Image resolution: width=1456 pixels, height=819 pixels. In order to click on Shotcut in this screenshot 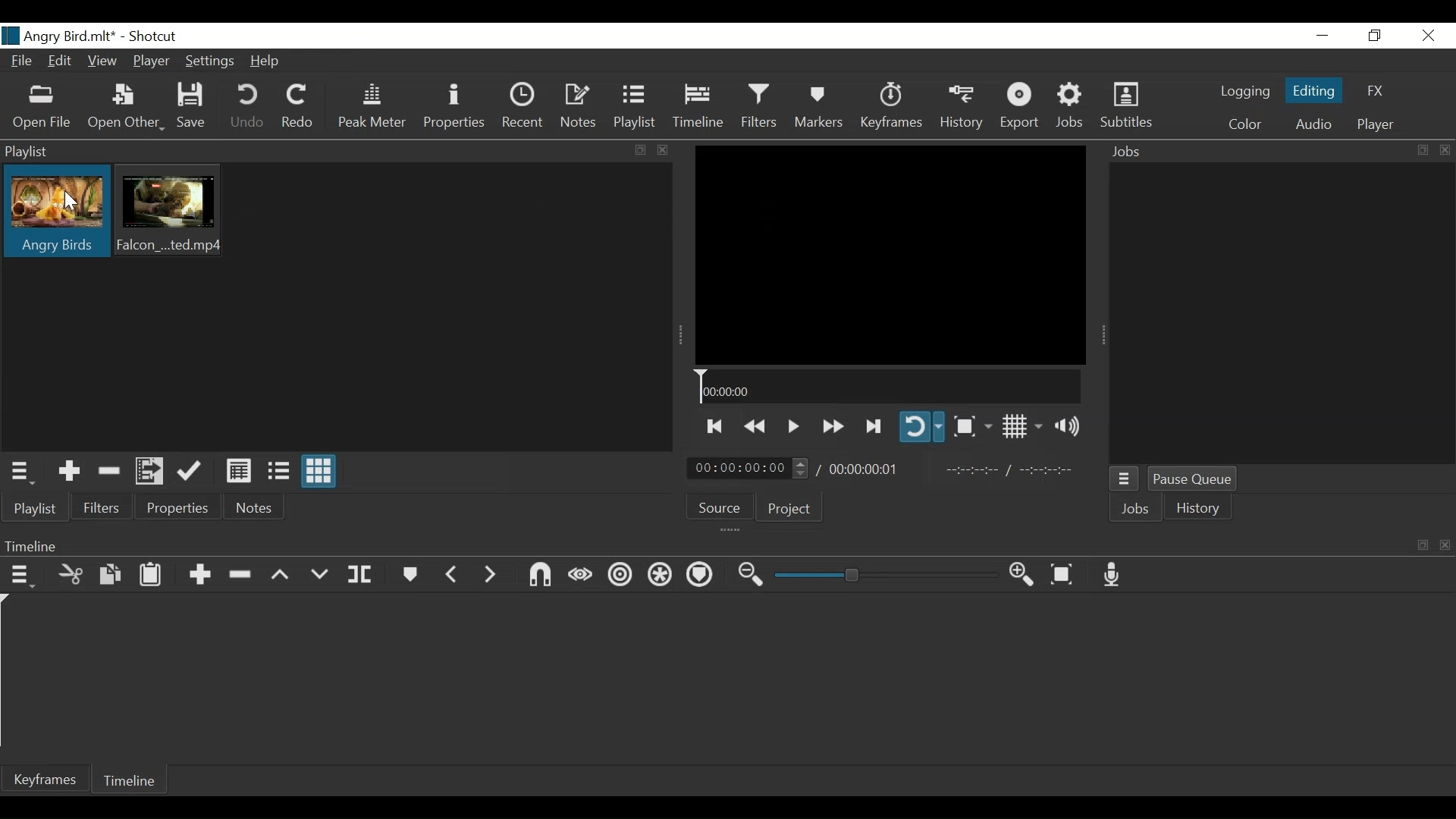, I will do `click(152, 36)`.